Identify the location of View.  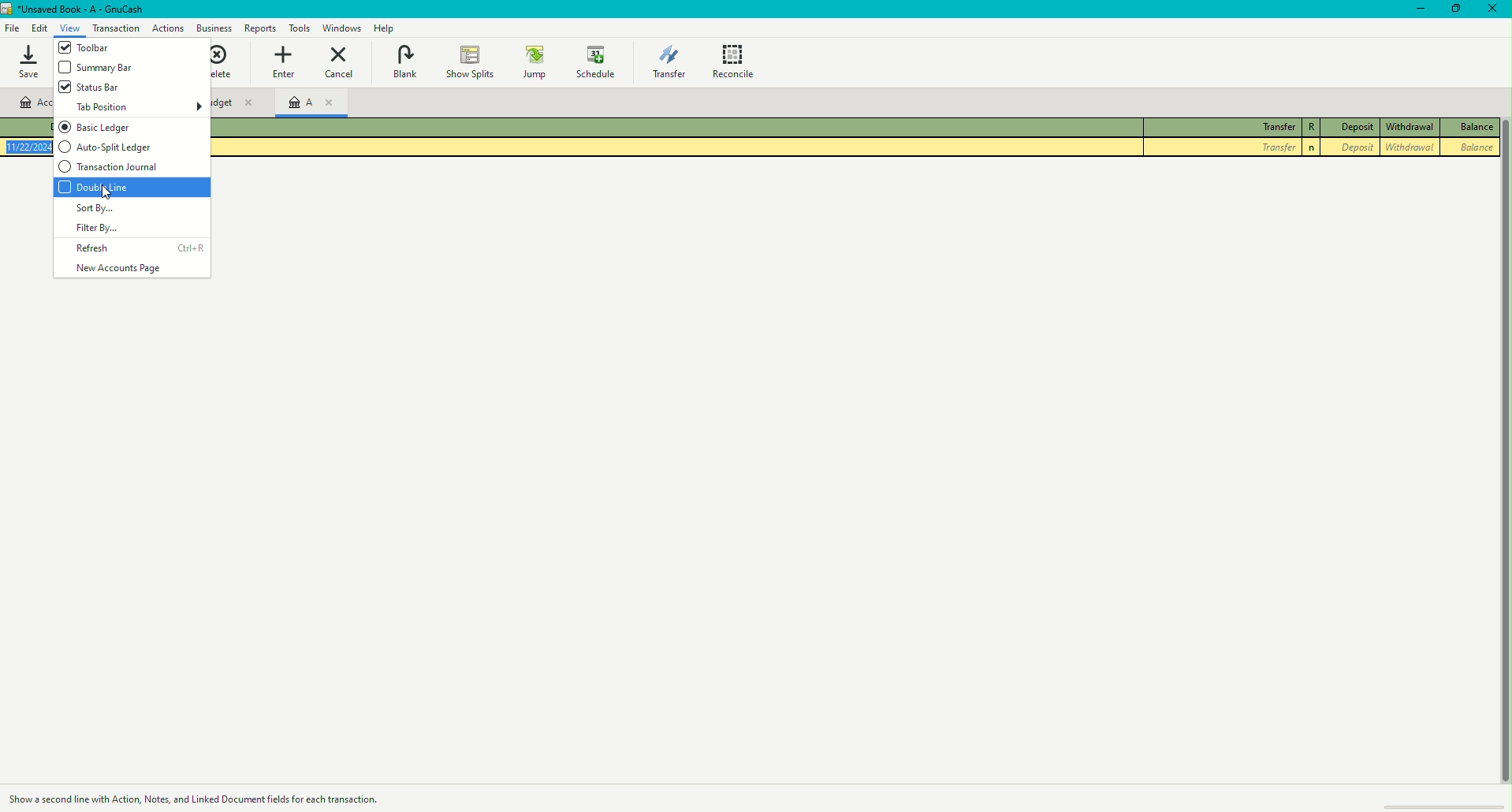
(72, 29).